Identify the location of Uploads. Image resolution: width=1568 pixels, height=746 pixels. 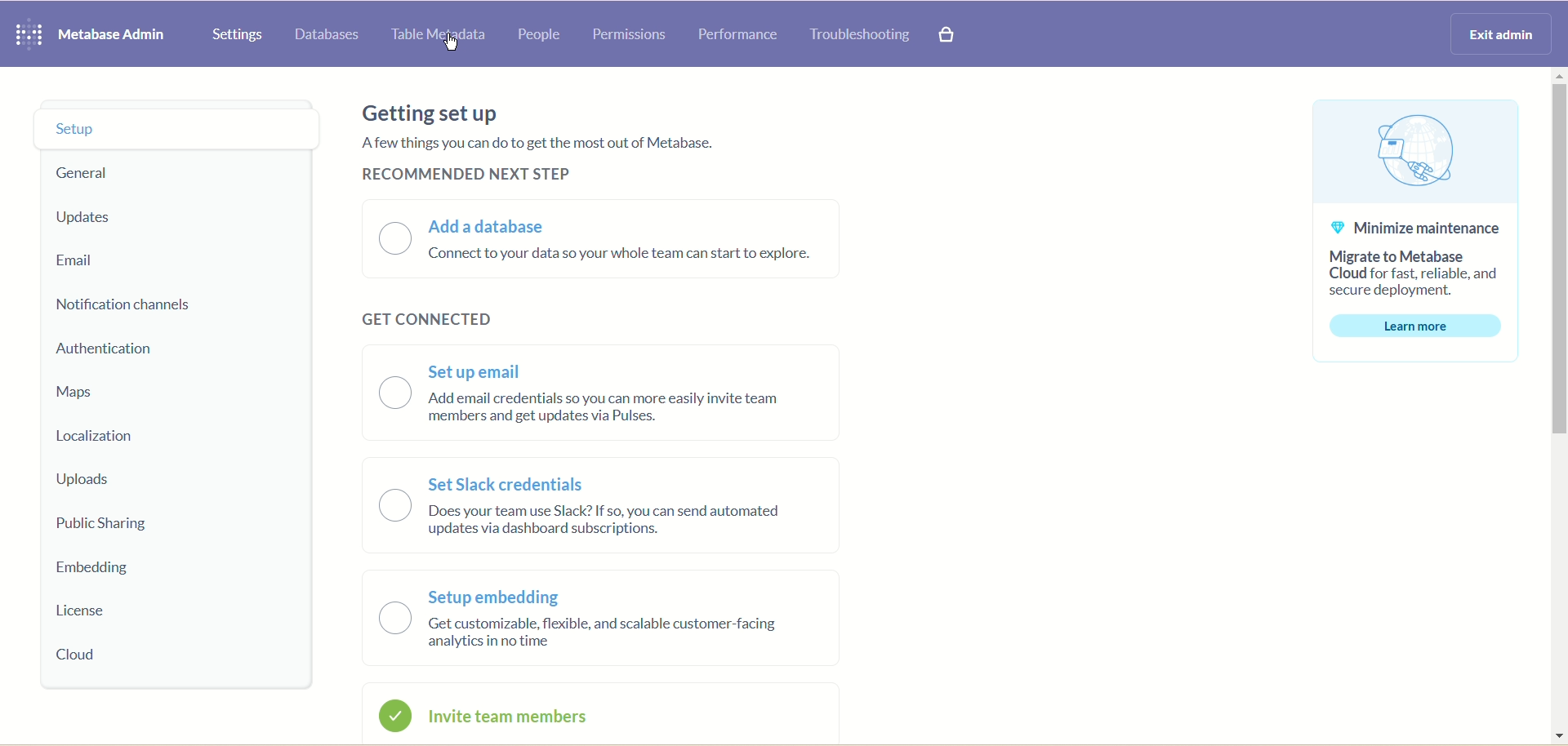
(136, 477).